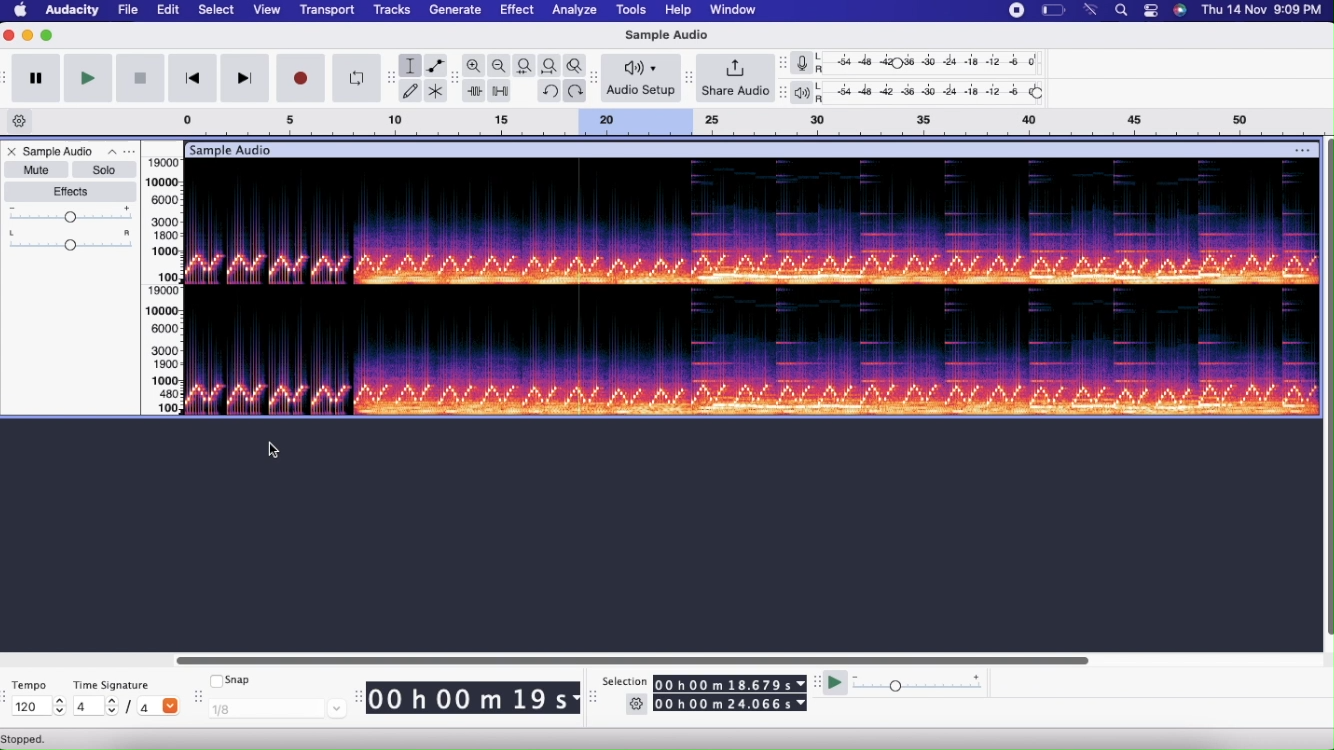 This screenshot has height=750, width=1334. What do you see at coordinates (30, 683) in the screenshot?
I see `Tempo` at bounding box center [30, 683].